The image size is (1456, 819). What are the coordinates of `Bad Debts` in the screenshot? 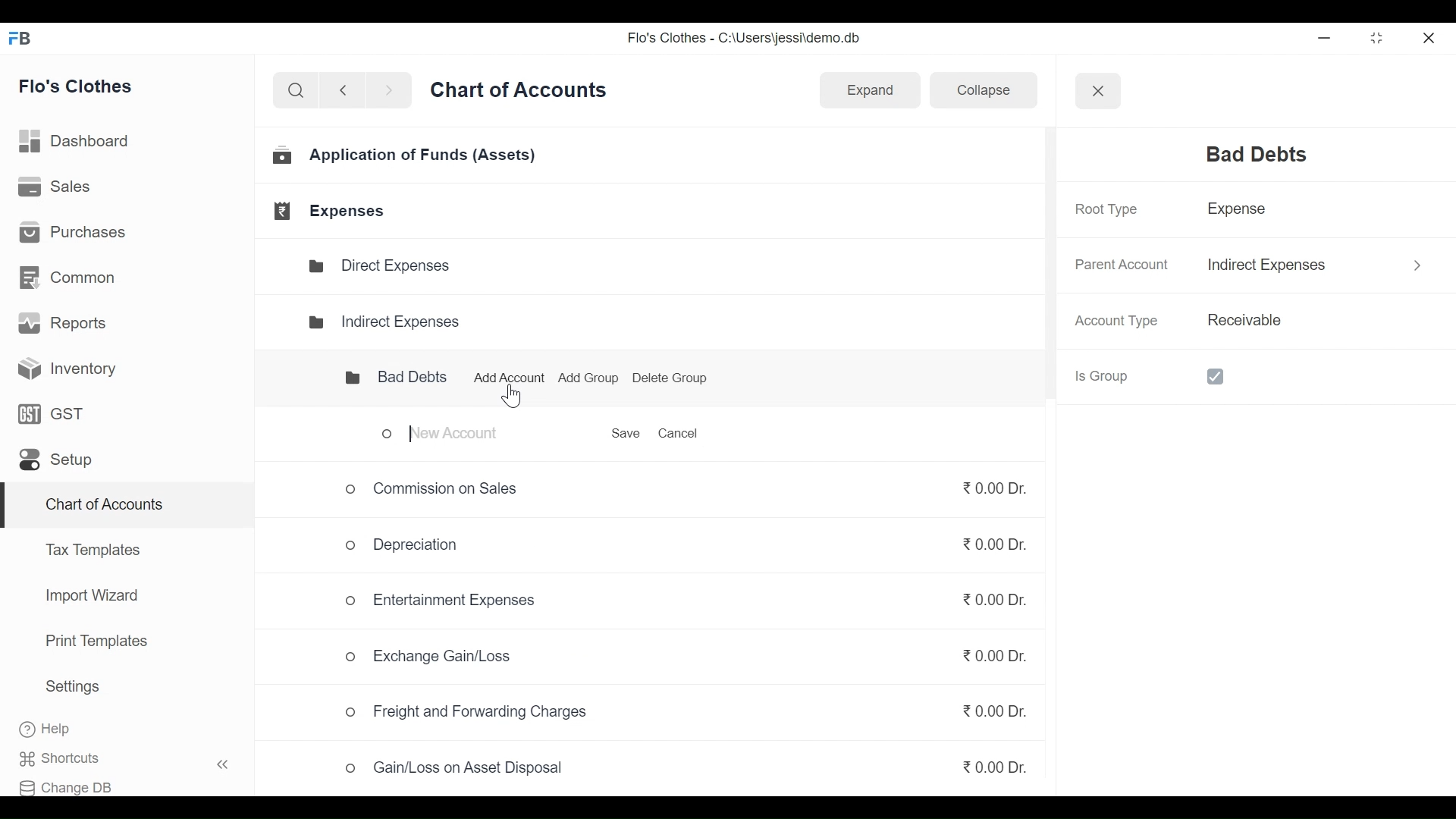 It's located at (384, 378).